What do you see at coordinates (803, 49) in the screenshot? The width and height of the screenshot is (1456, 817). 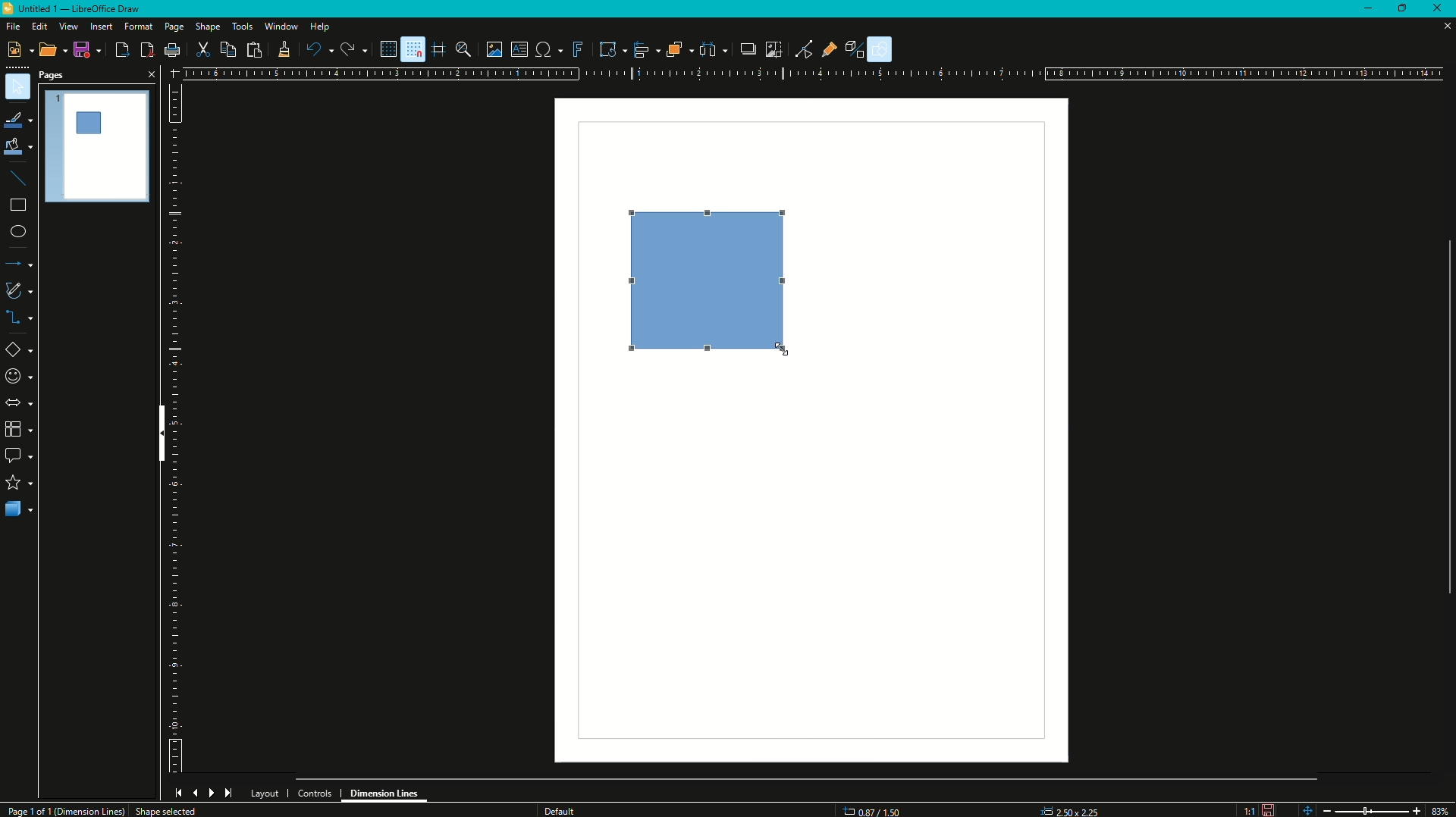 I see `Toggle Point Edit Mode` at bounding box center [803, 49].